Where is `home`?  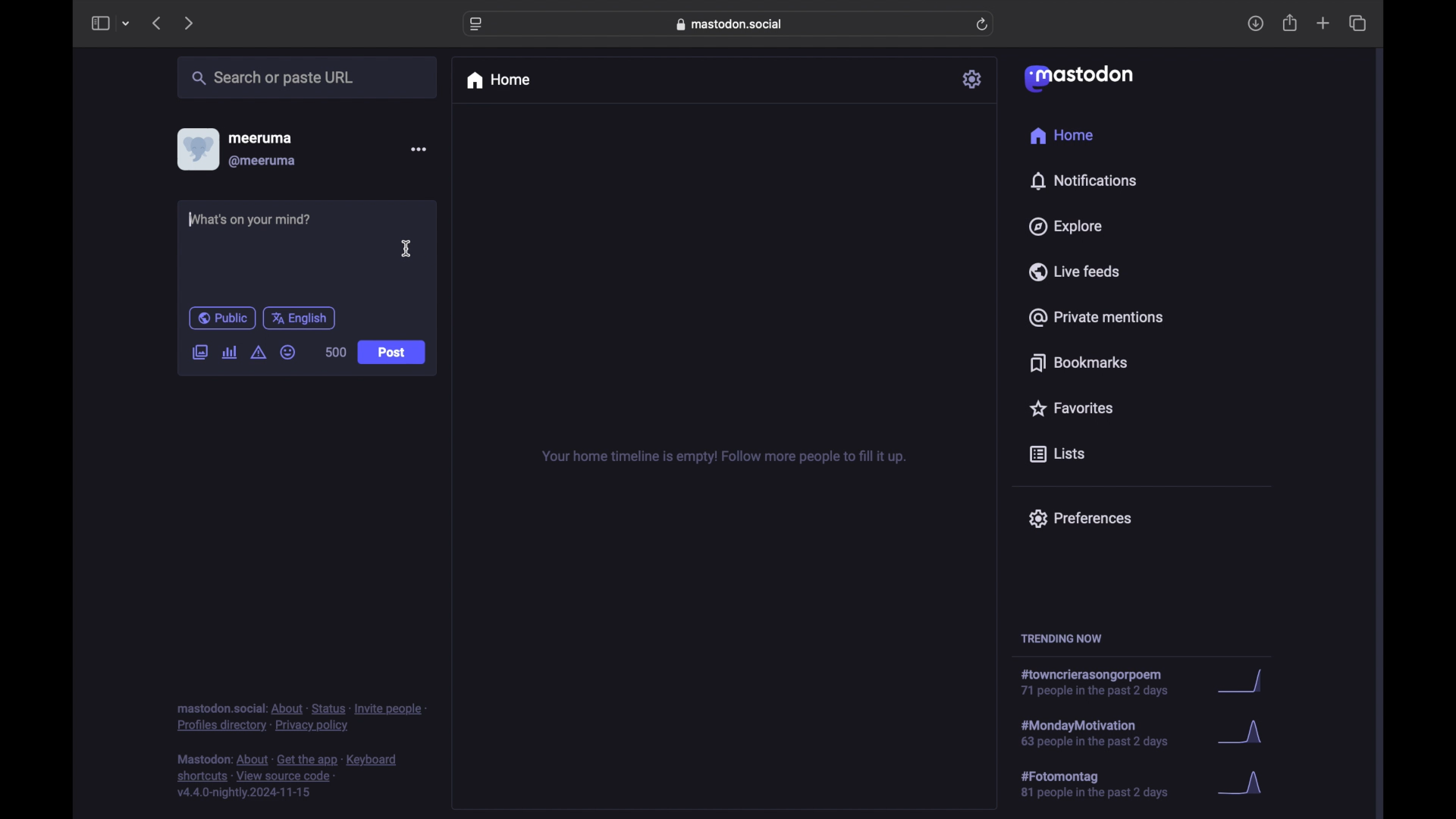 home is located at coordinates (1063, 135).